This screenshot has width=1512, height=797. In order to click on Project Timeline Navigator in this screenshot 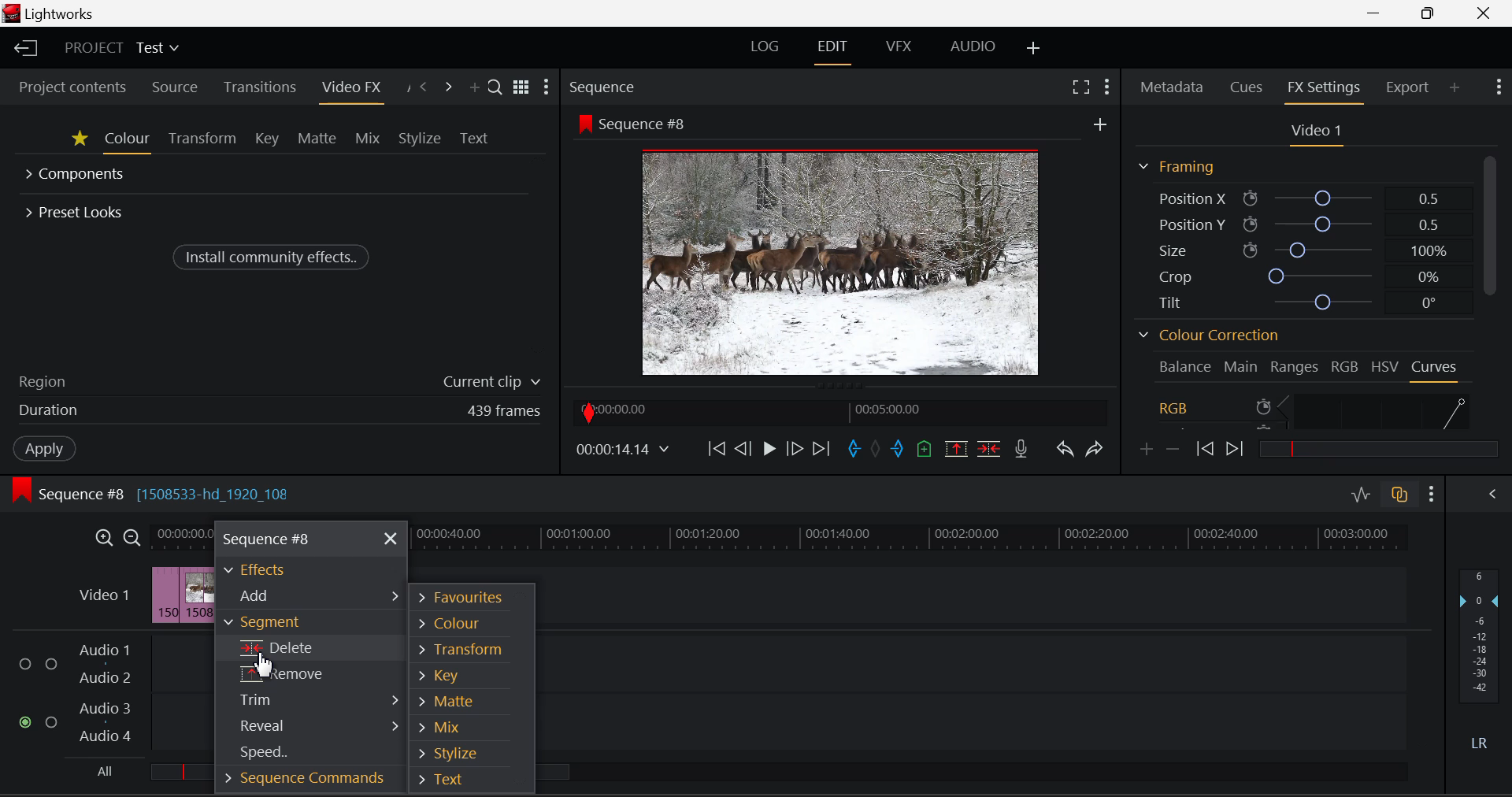, I will do `click(840, 411)`.